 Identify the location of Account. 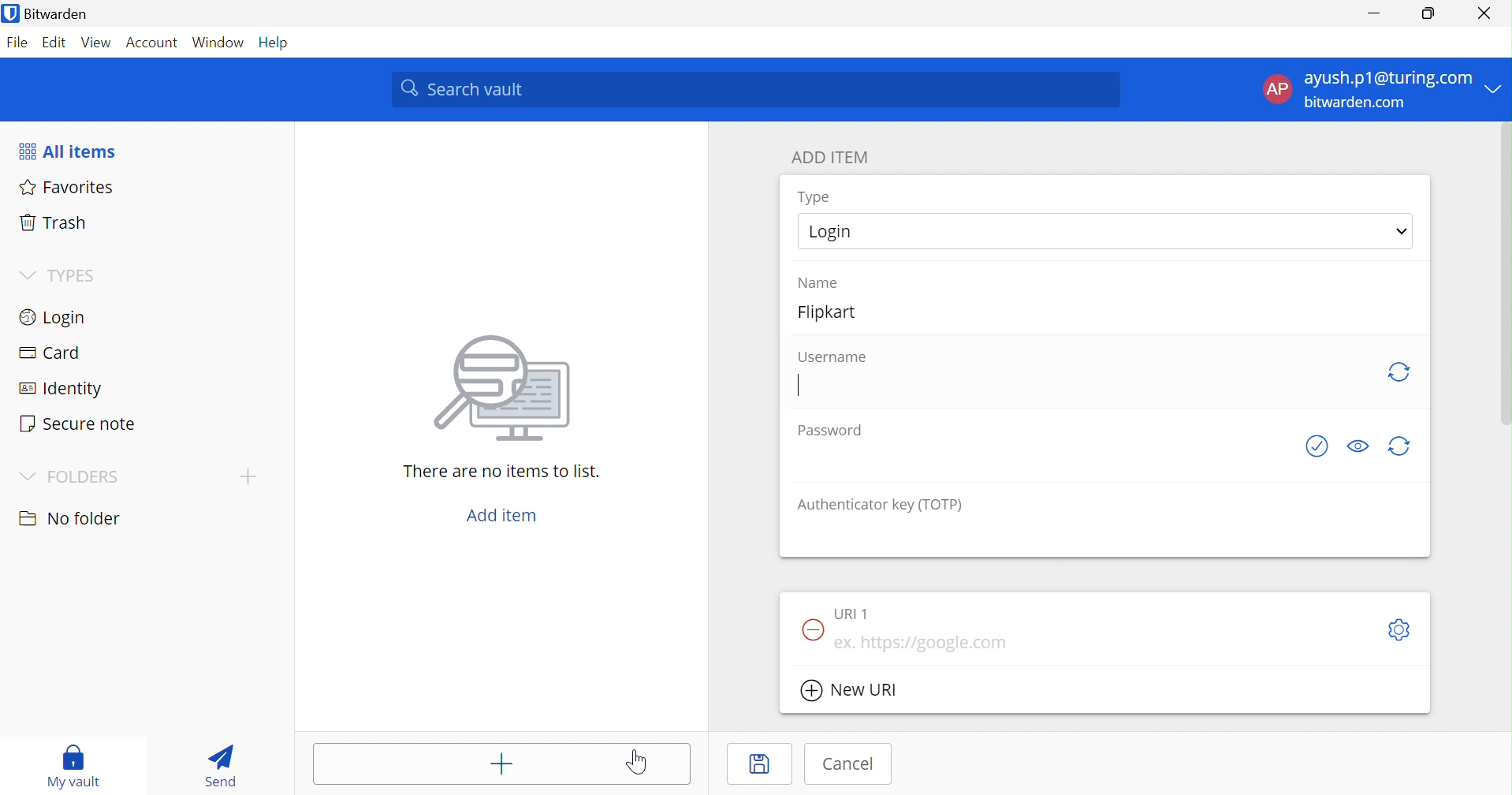
(153, 43).